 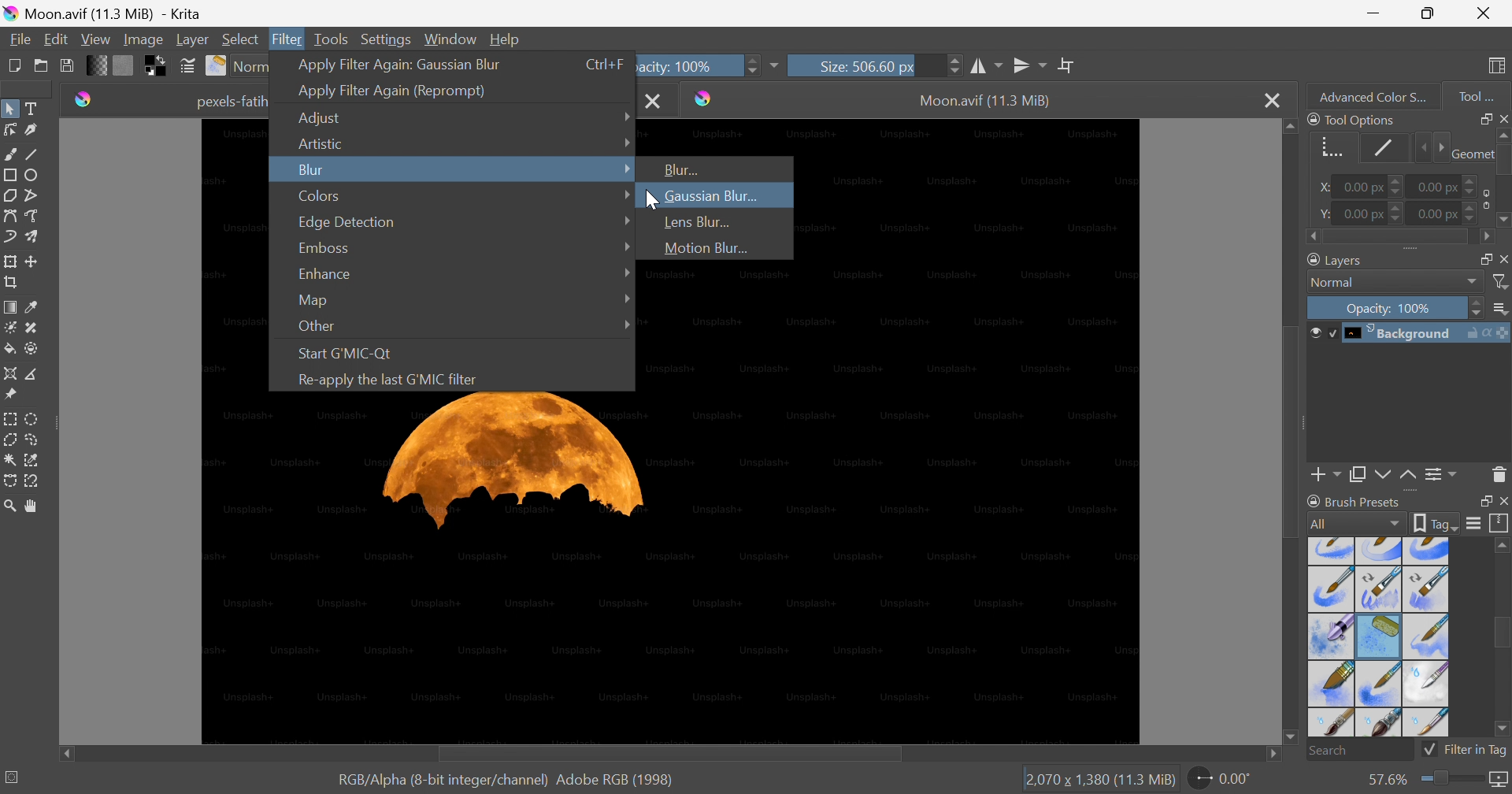 I want to click on No selection, so click(x=13, y=777).